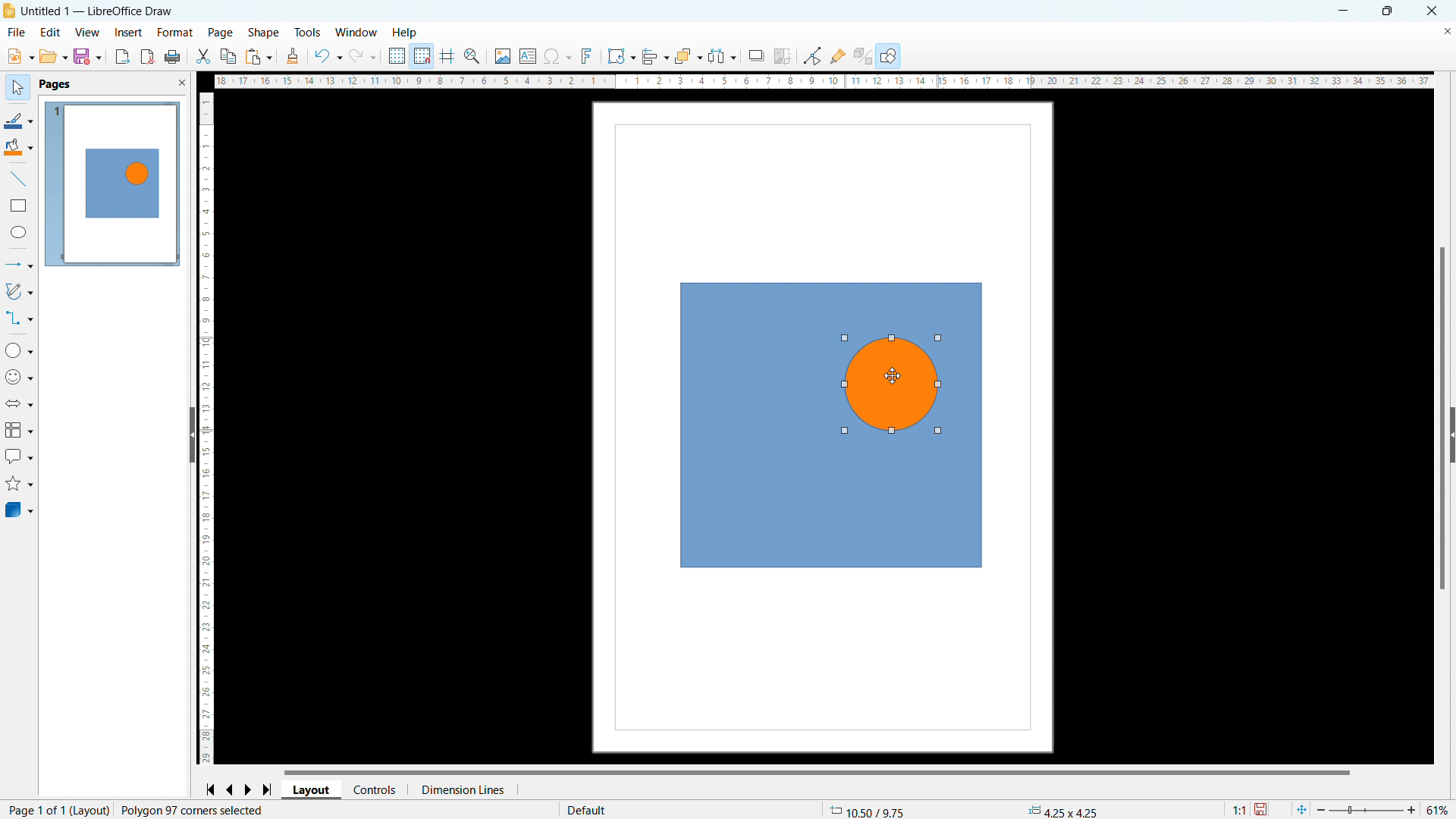  I want to click on block arrows, so click(20, 404).